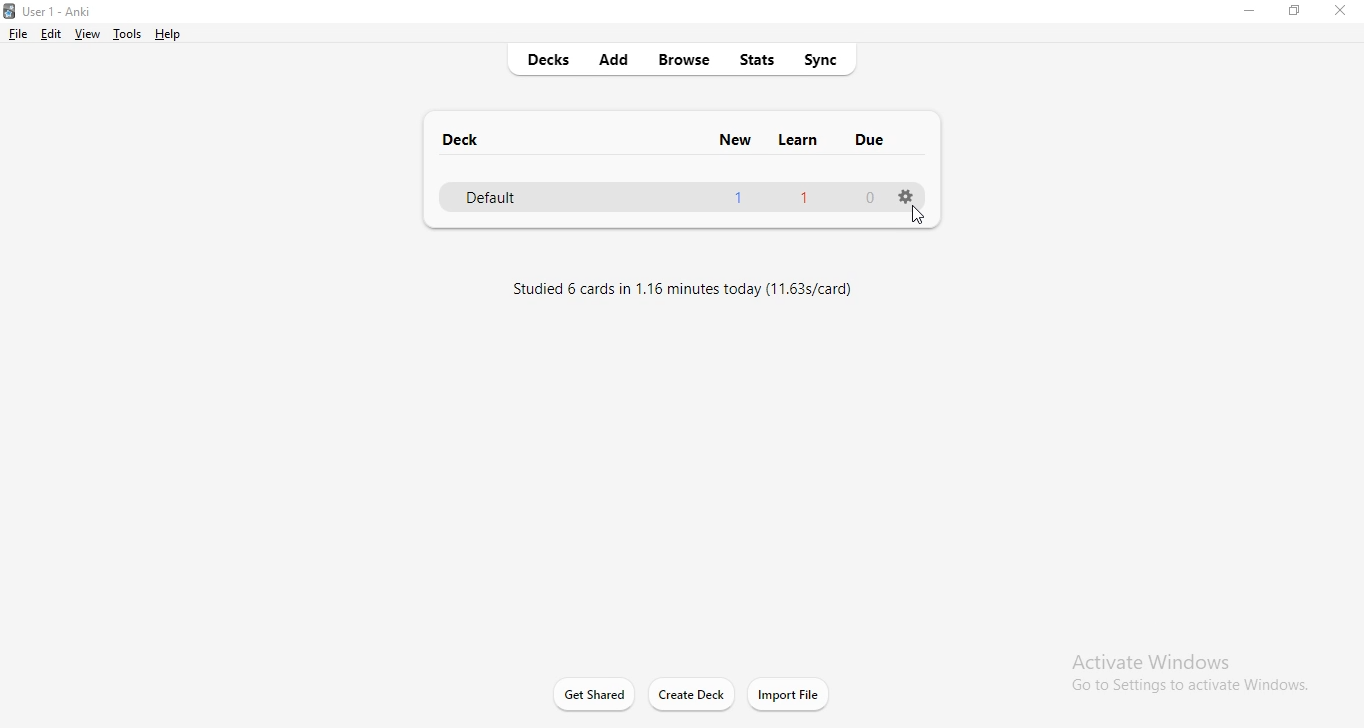  Describe the element at coordinates (621, 56) in the screenshot. I see `add` at that location.